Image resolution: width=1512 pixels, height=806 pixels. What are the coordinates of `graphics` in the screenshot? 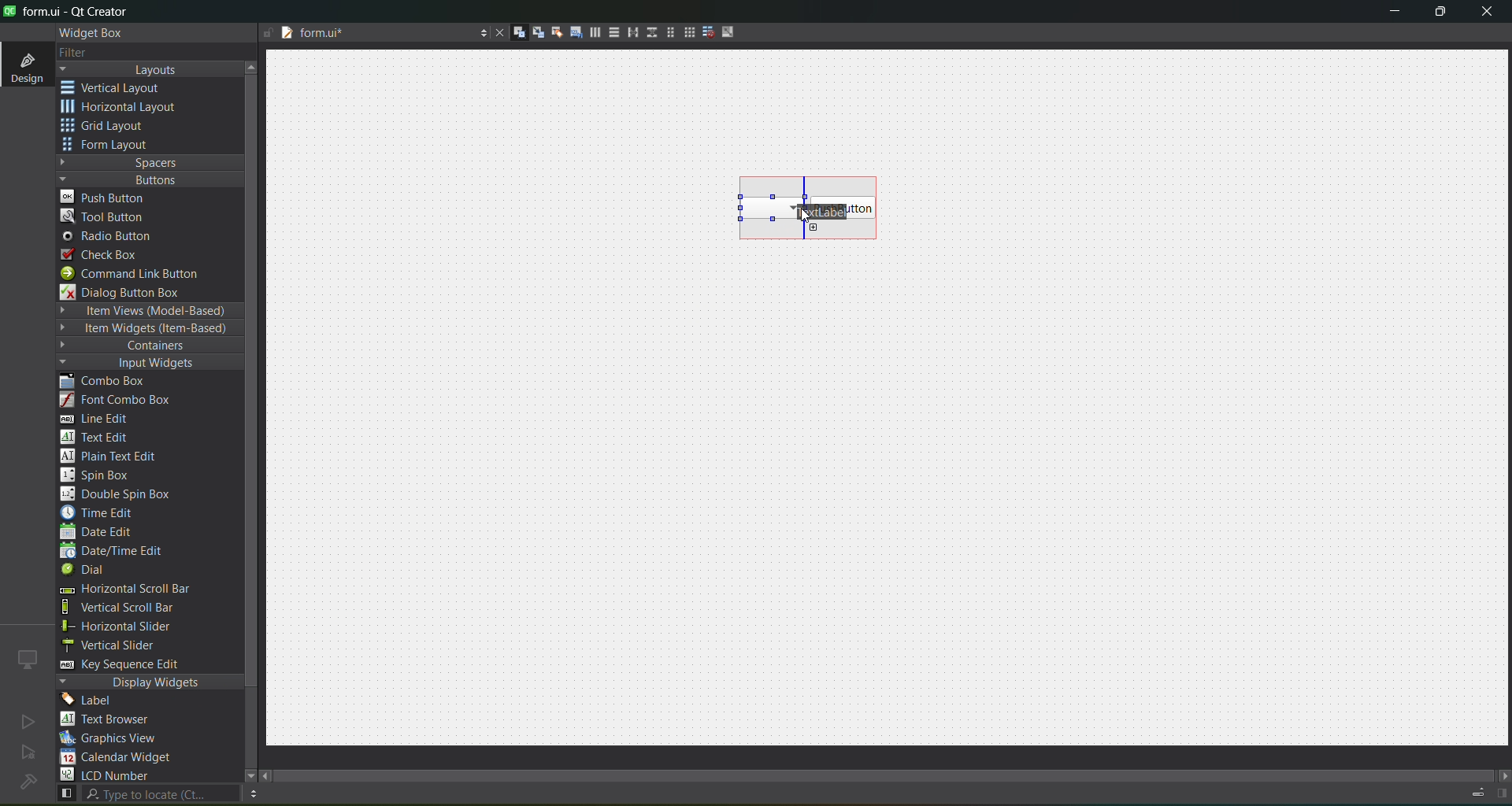 It's located at (115, 738).